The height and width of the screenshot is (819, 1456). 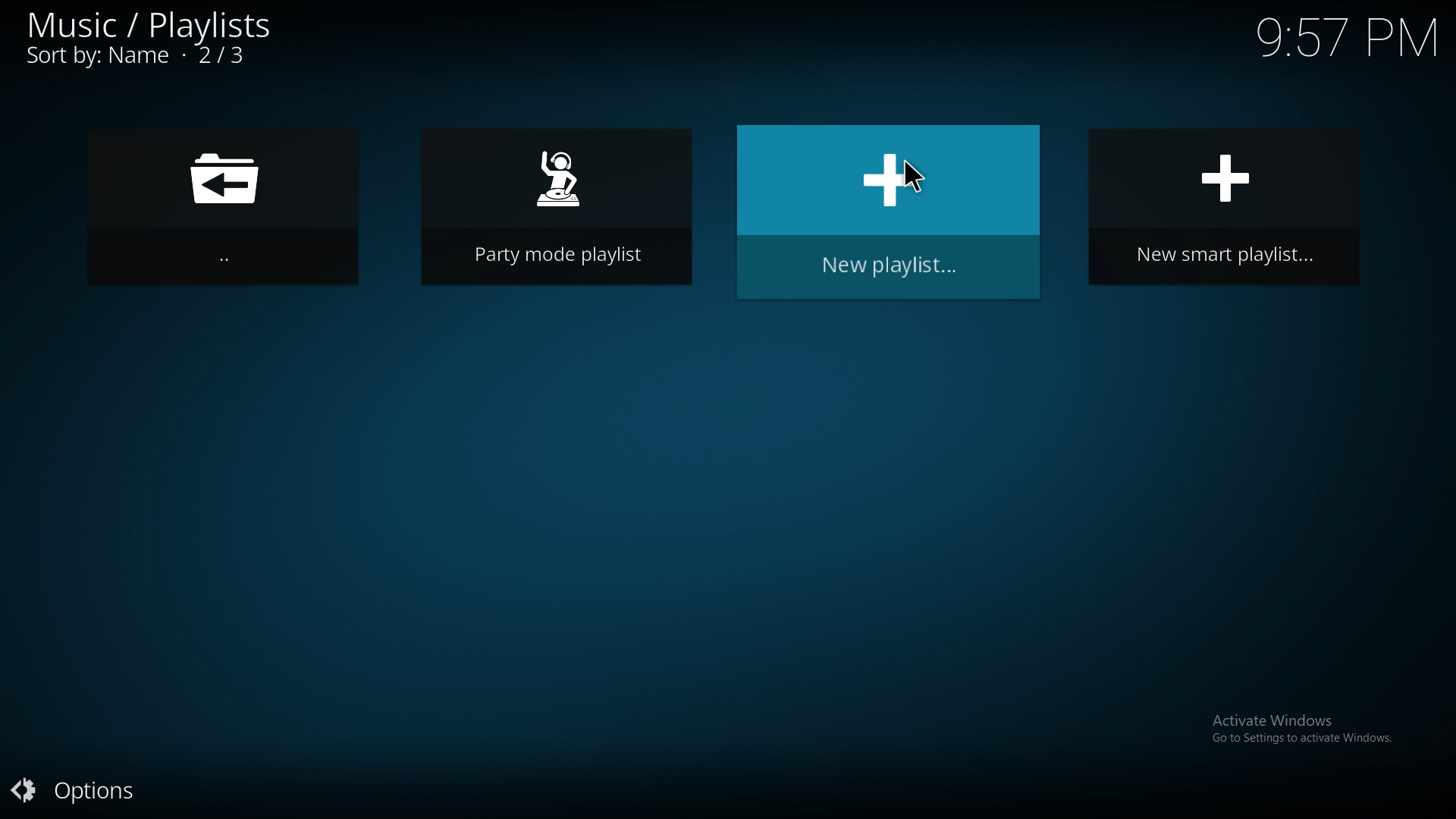 What do you see at coordinates (1226, 203) in the screenshot?
I see `new smart playlist` at bounding box center [1226, 203].